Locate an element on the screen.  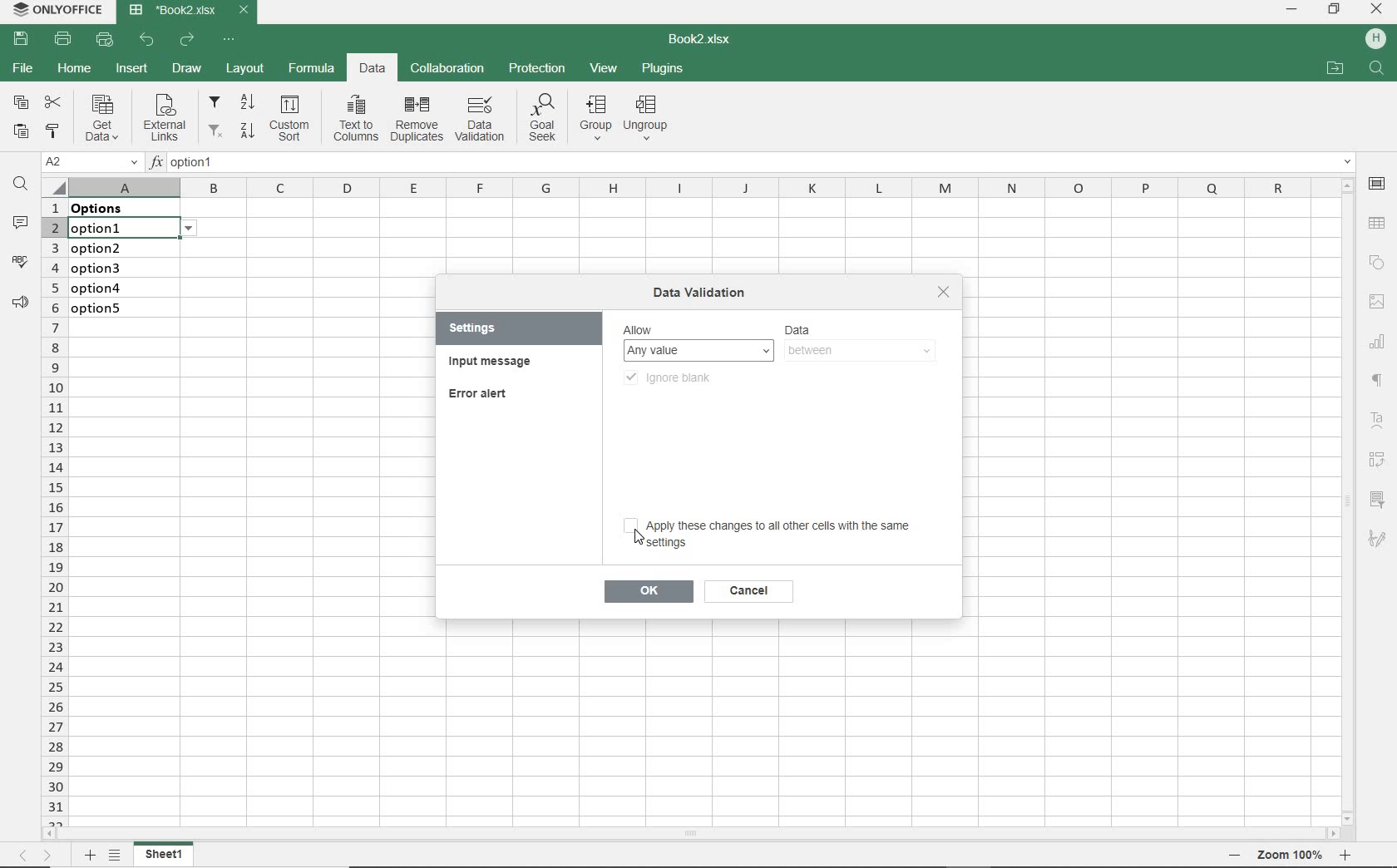
PRINT is located at coordinates (62, 40).